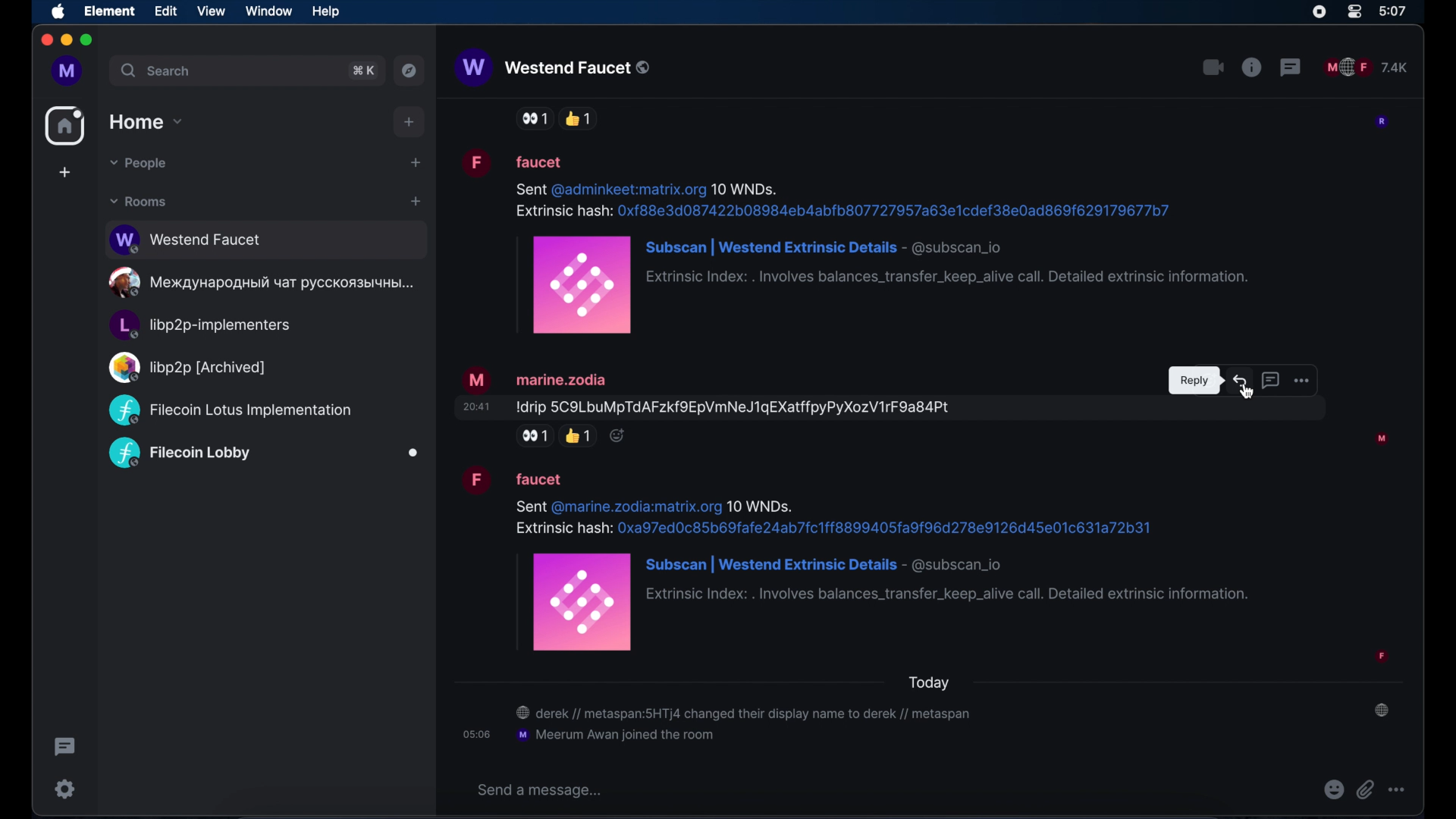  I want to click on public room, so click(230, 410).